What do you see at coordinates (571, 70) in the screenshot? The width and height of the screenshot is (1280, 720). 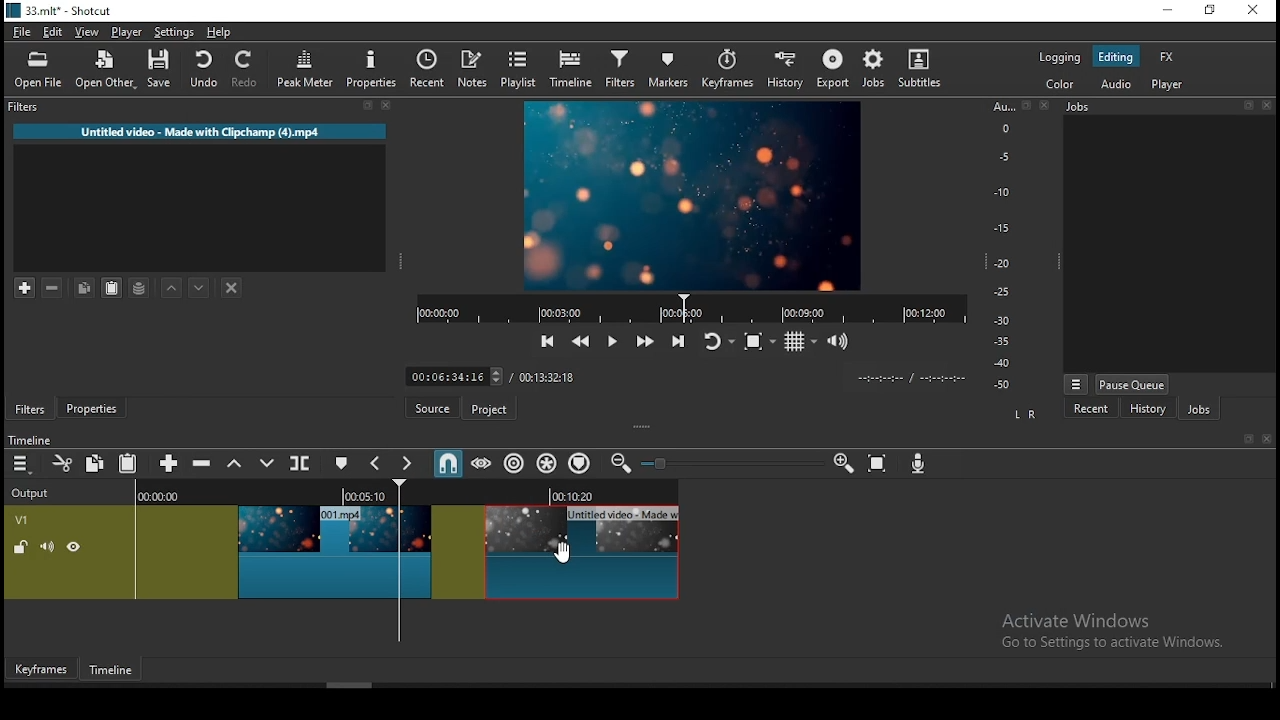 I see `timeline` at bounding box center [571, 70].